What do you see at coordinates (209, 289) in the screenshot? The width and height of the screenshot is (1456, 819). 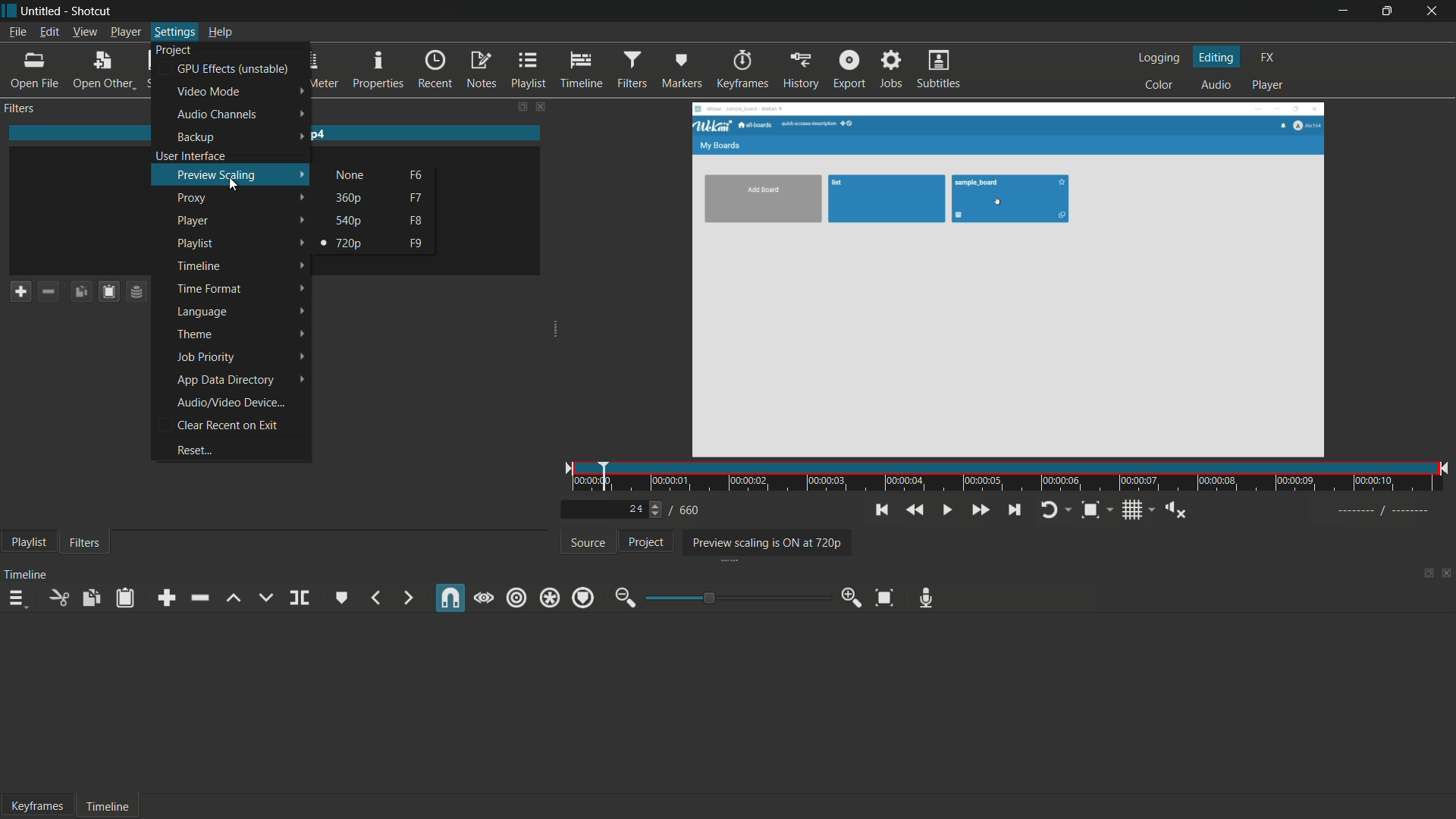 I see `time format` at bounding box center [209, 289].